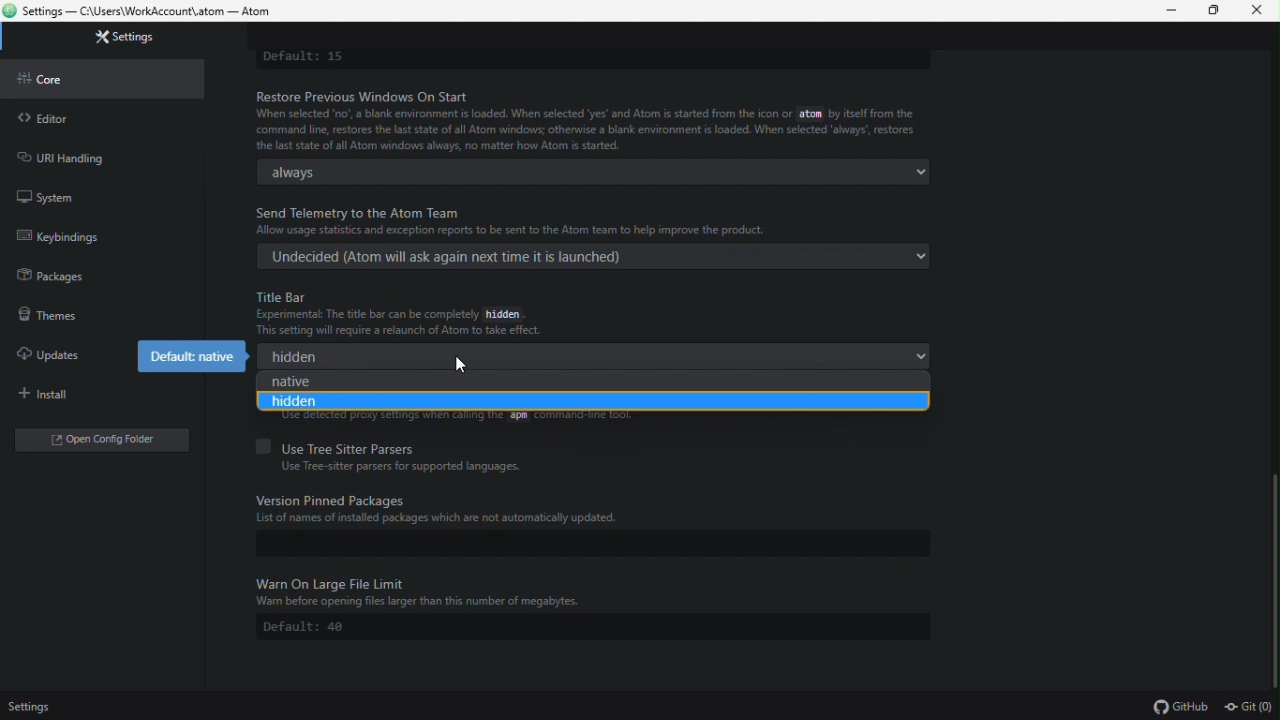 Image resolution: width=1280 pixels, height=720 pixels. I want to click on hidden, so click(594, 357).